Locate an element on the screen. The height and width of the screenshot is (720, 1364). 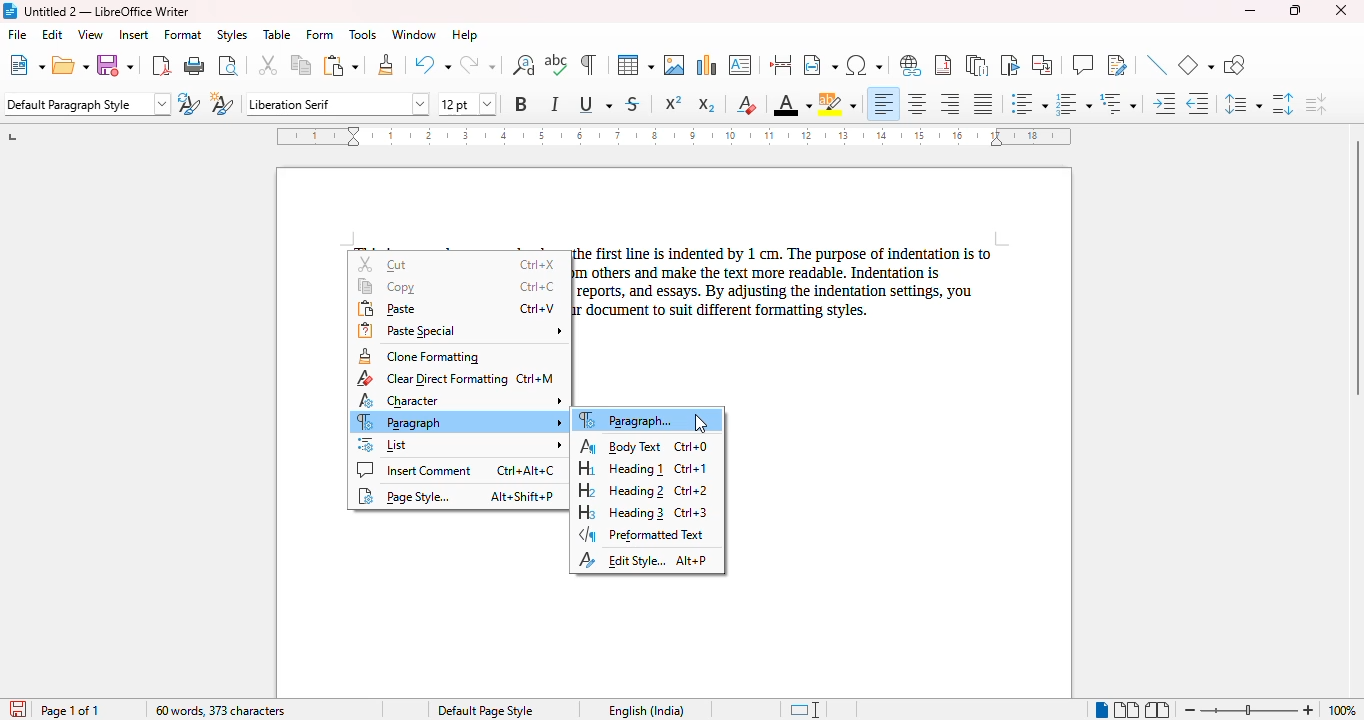
font color is located at coordinates (792, 104).